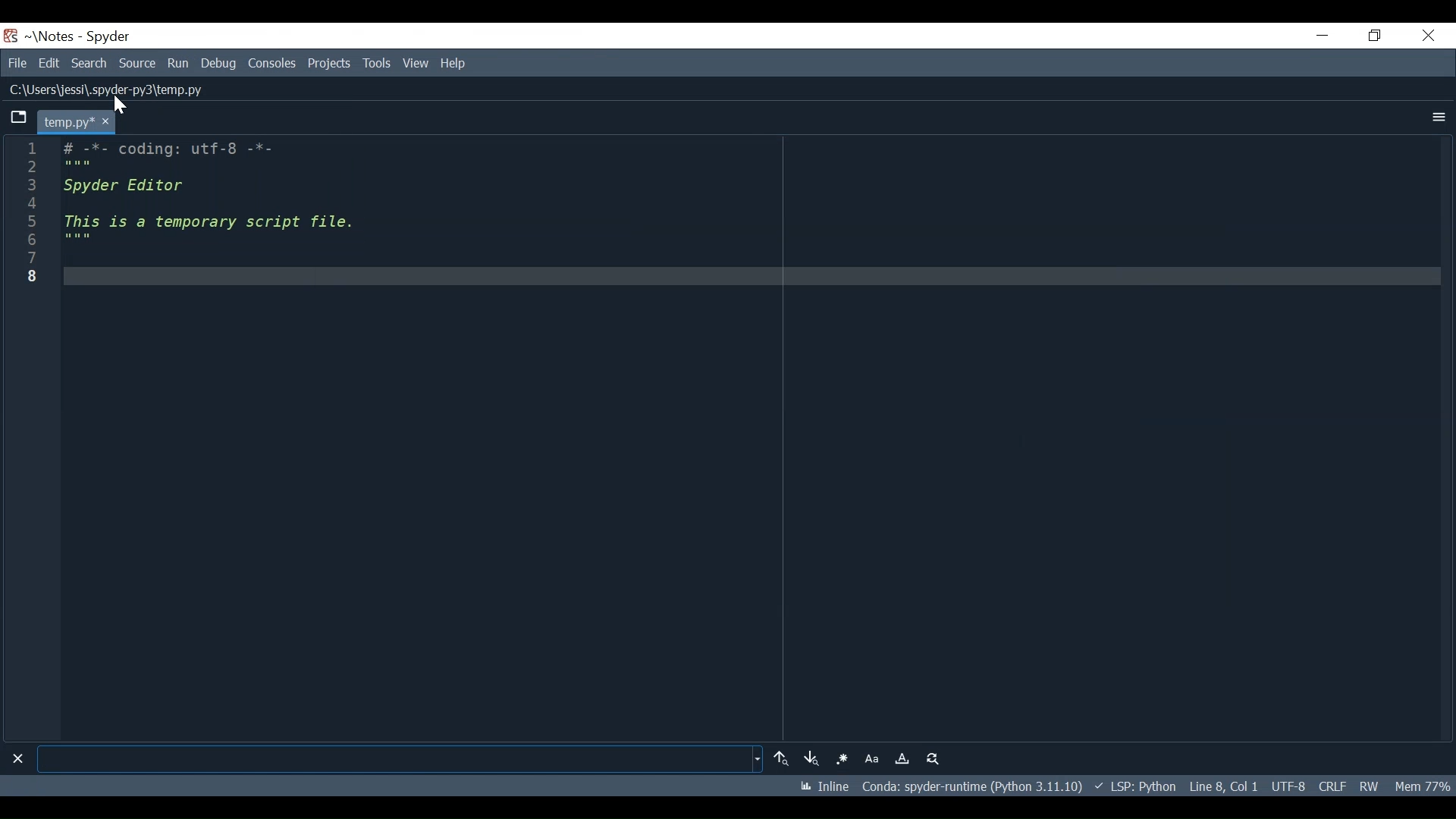  What do you see at coordinates (814, 758) in the screenshot?
I see `Find Next` at bounding box center [814, 758].